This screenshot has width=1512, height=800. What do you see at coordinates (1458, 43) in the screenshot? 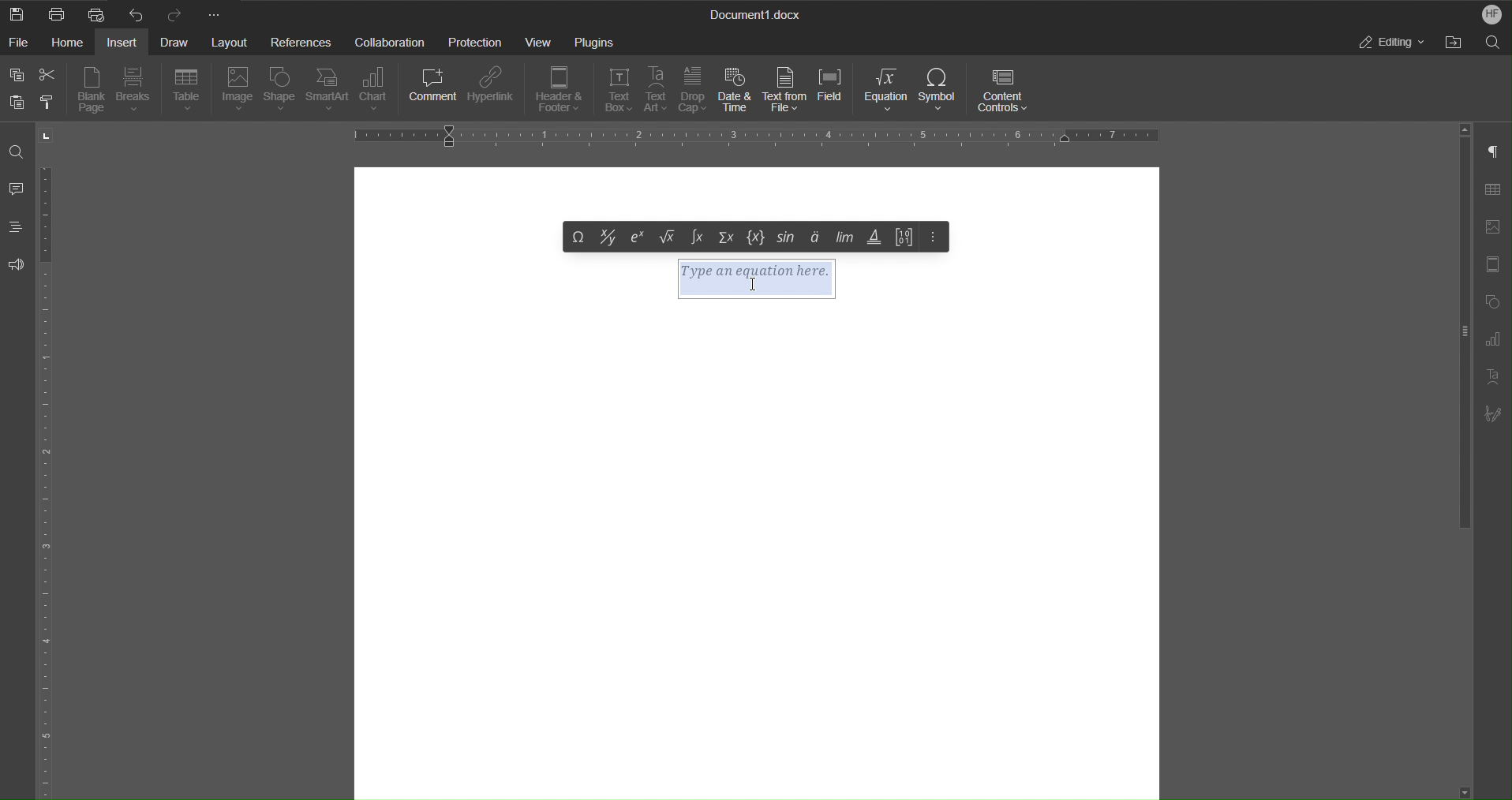
I see `Open File Location` at bounding box center [1458, 43].